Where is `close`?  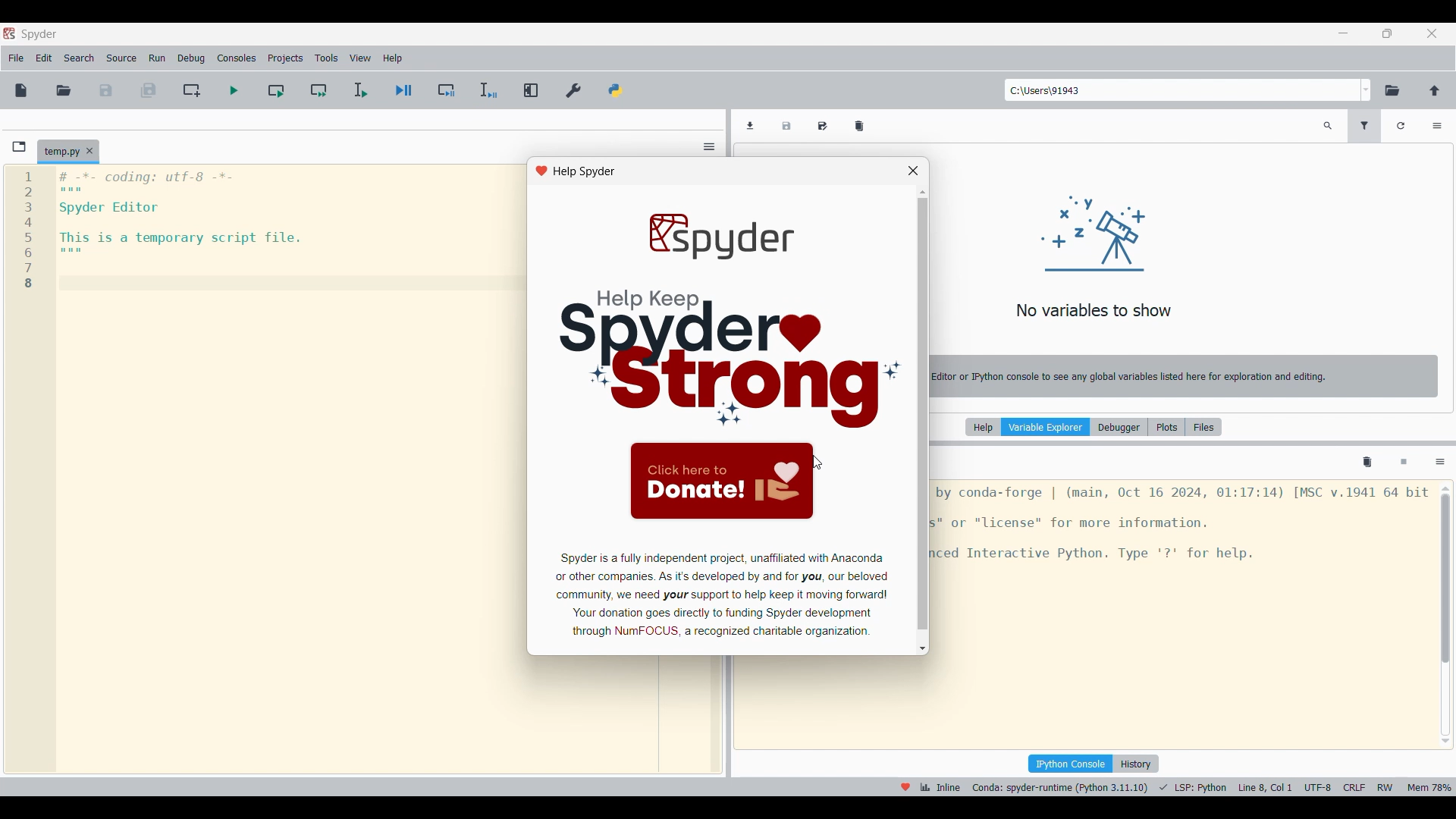 close is located at coordinates (913, 170).